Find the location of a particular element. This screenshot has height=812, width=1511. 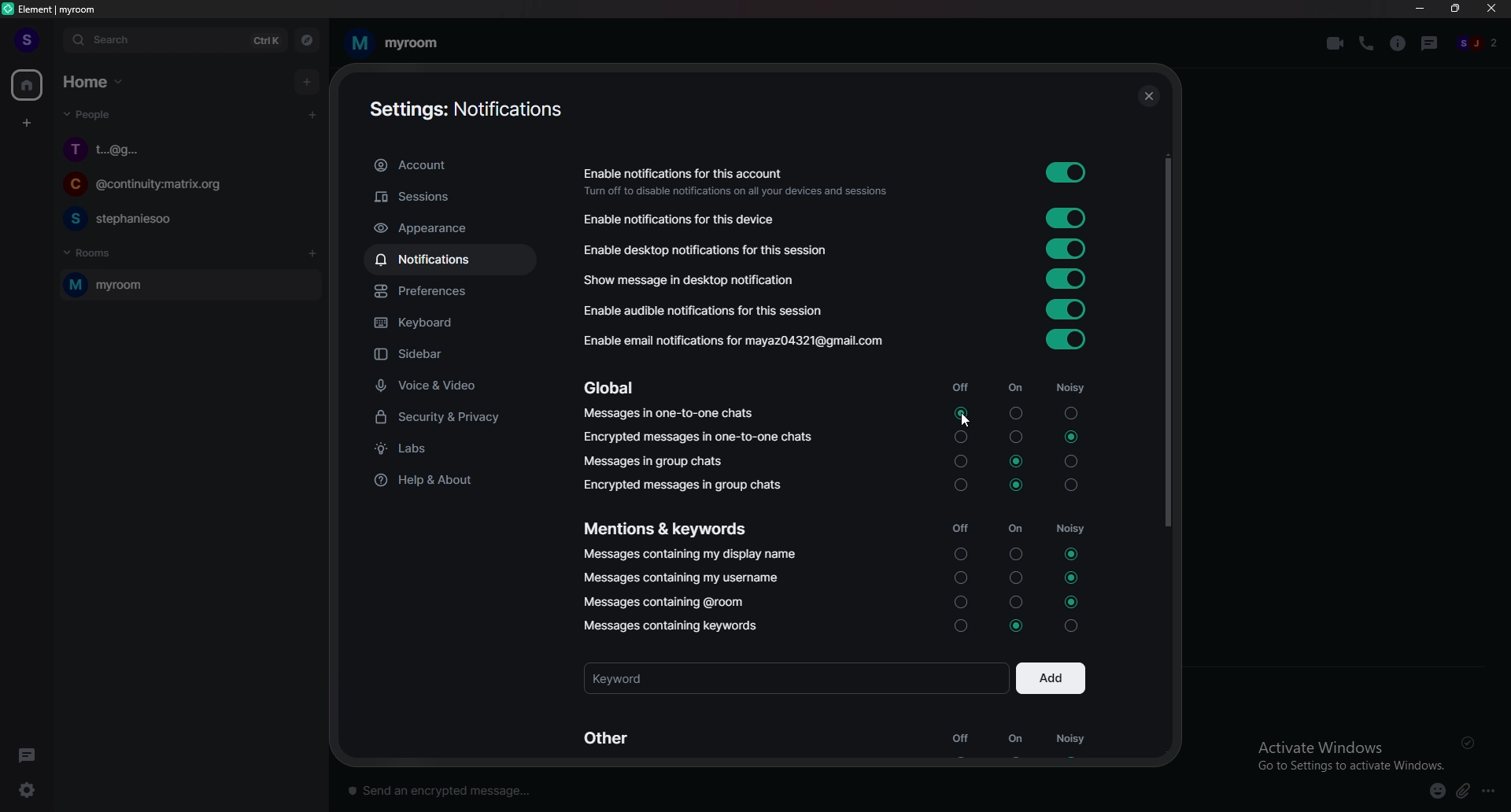

expand is located at coordinates (53, 40).